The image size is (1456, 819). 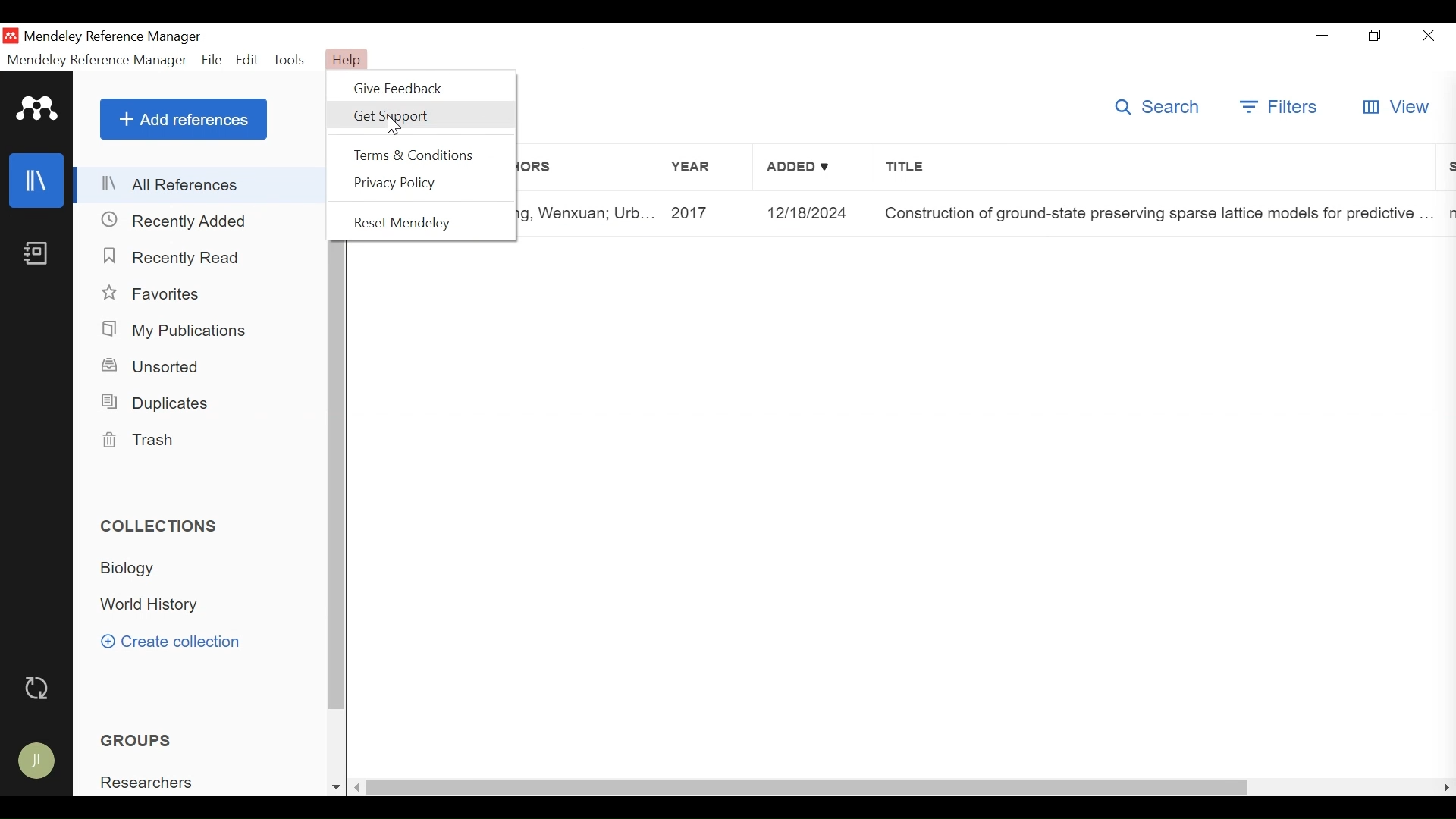 I want to click on Help, so click(x=348, y=60).